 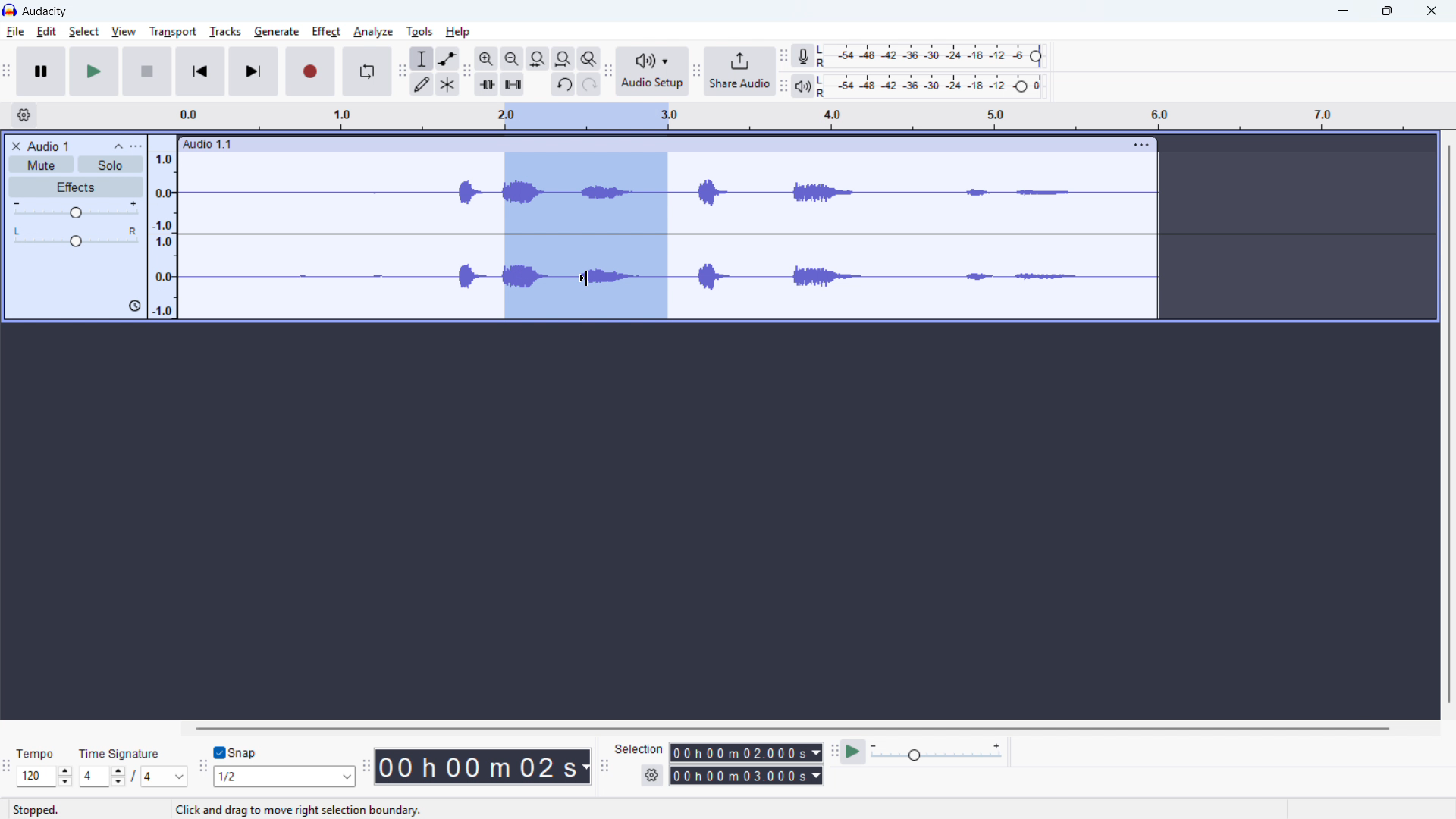 I want to click on Amplitude, so click(x=163, y=226).